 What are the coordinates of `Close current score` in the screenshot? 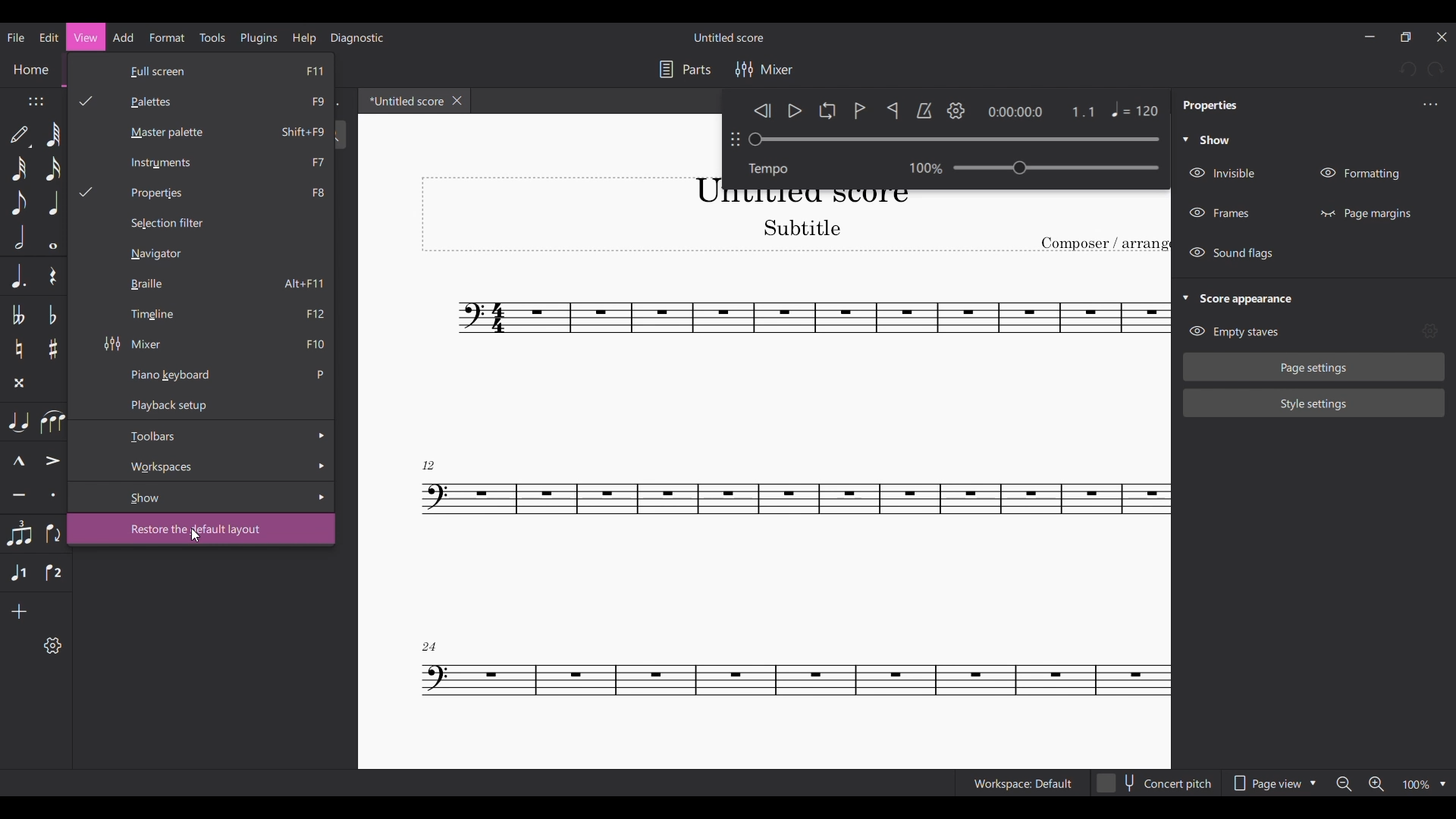 It's located at (457, 100).